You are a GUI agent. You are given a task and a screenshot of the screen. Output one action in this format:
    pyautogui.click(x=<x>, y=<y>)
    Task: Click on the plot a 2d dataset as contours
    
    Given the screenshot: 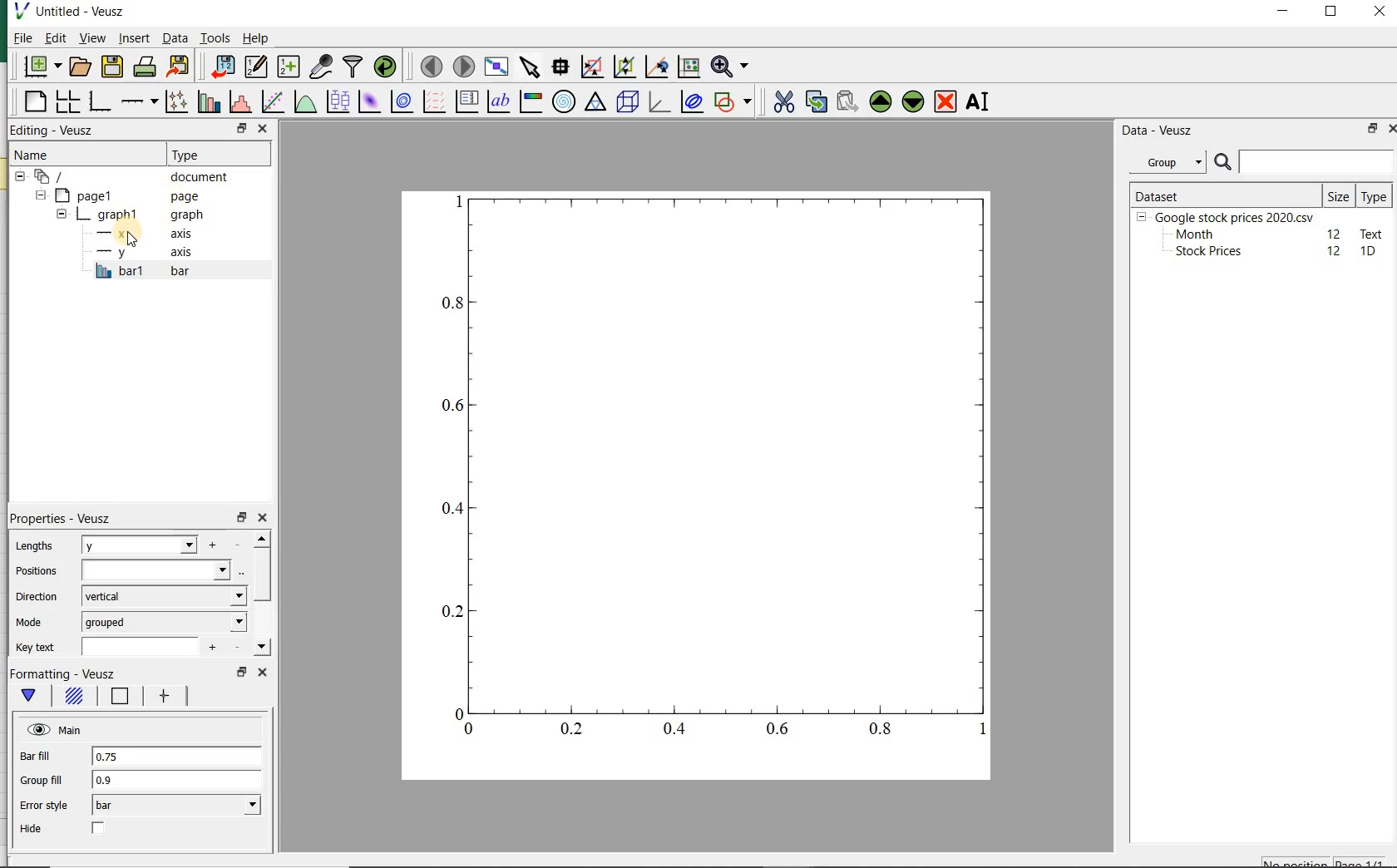 What is the action you would take?
    pyautogui.click(x=399, y=103)
    